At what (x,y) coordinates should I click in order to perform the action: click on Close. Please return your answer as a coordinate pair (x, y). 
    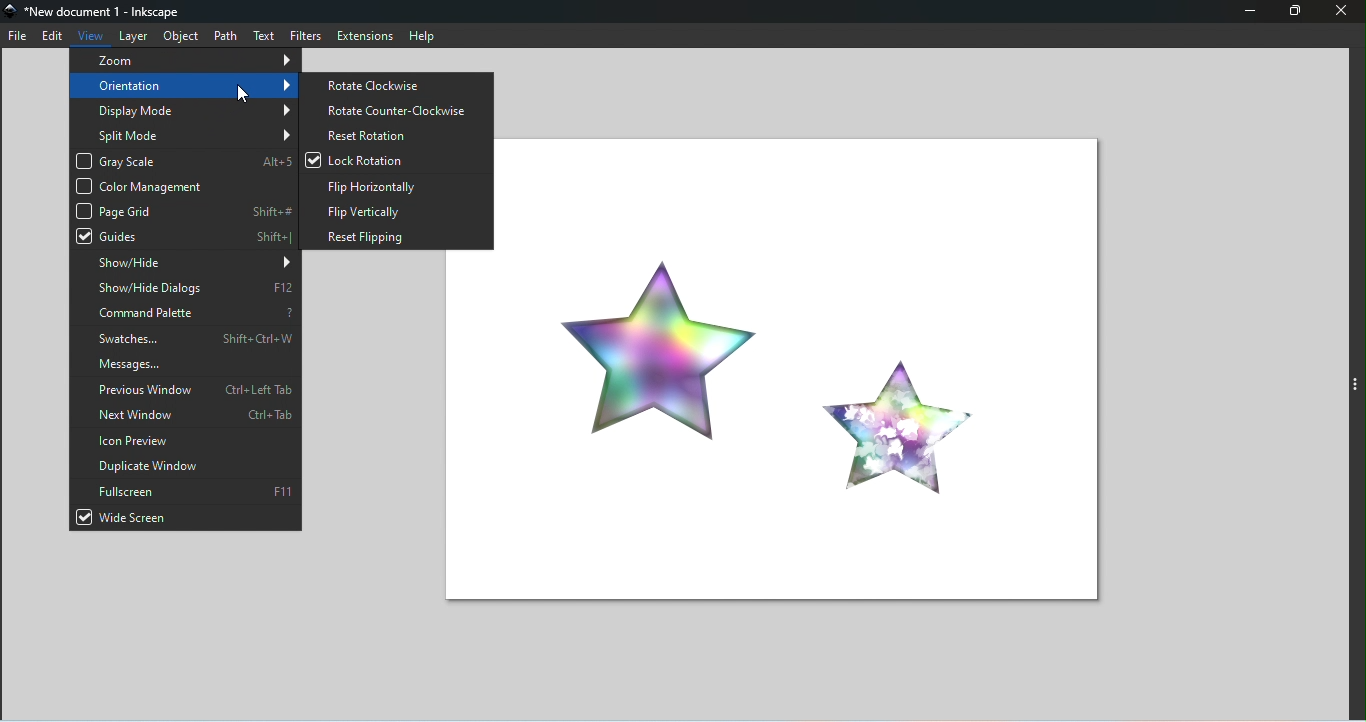
    Looking at the image, I should click on (1342, 14).